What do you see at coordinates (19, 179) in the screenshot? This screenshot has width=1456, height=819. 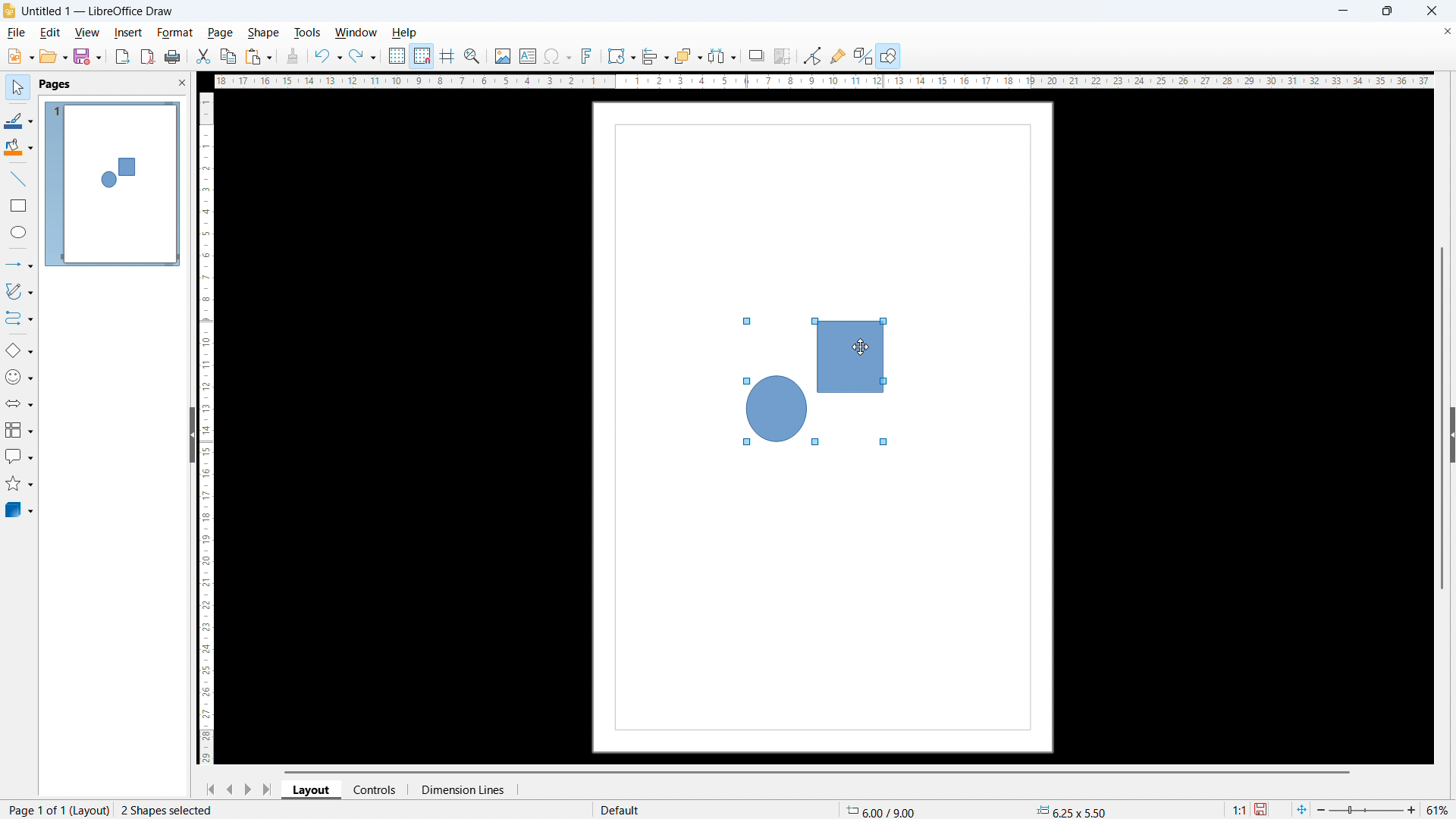 I see `line` at bounding box center [19, 179].